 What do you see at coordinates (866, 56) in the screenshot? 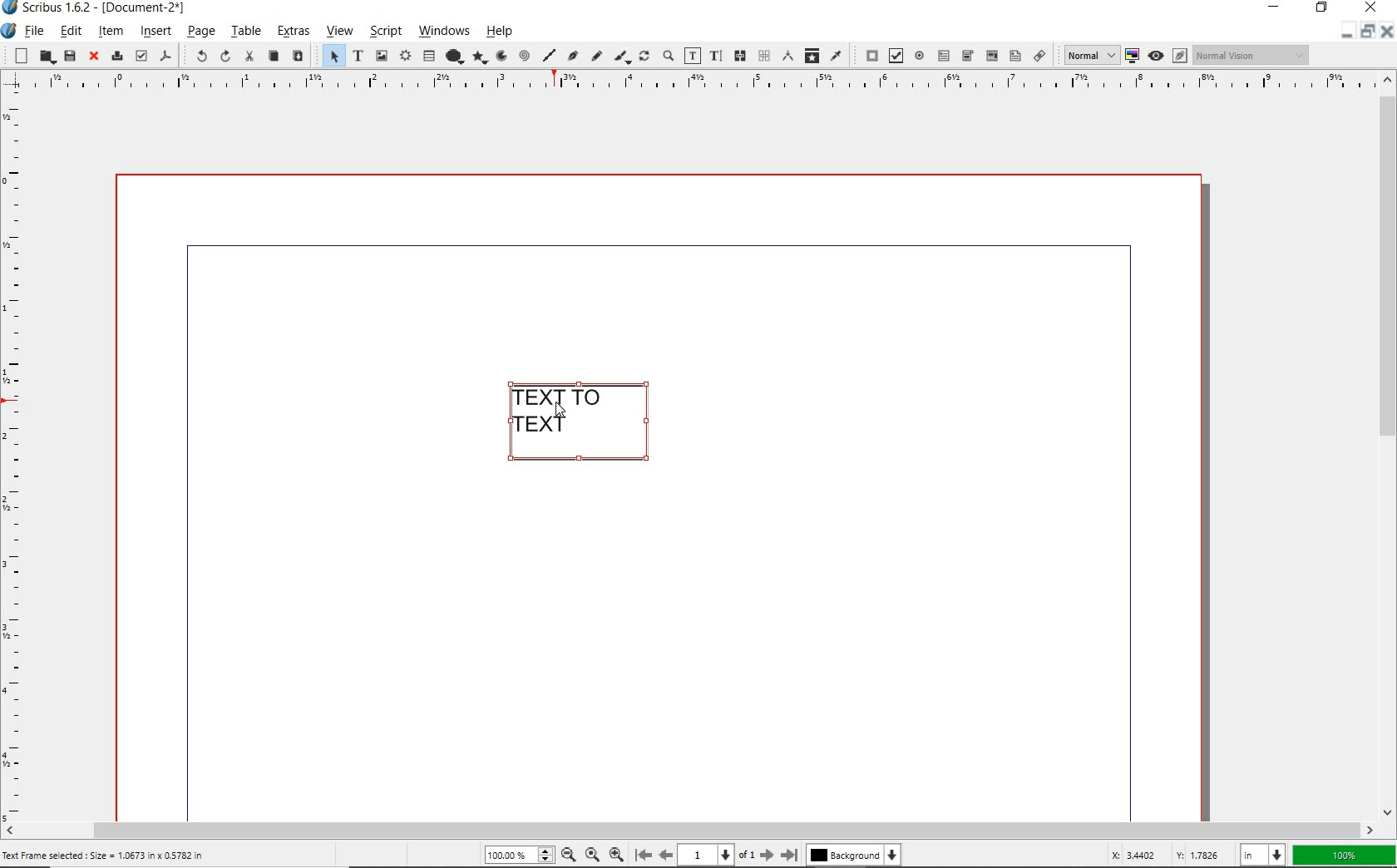
I see `pdf push button` at bounding box center [866, 56].